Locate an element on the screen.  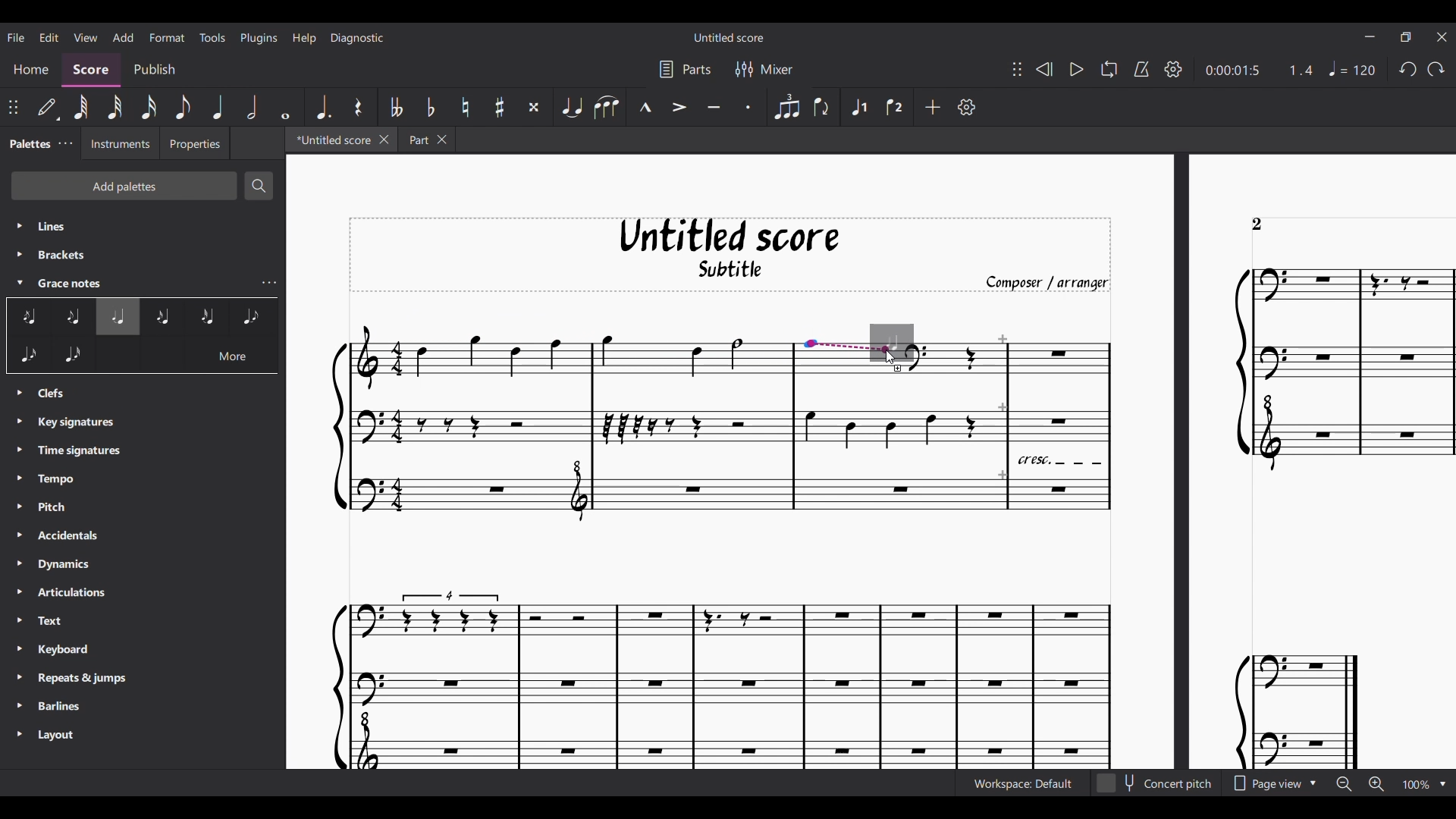
Playback settings is located at coordinates (1173, 69).